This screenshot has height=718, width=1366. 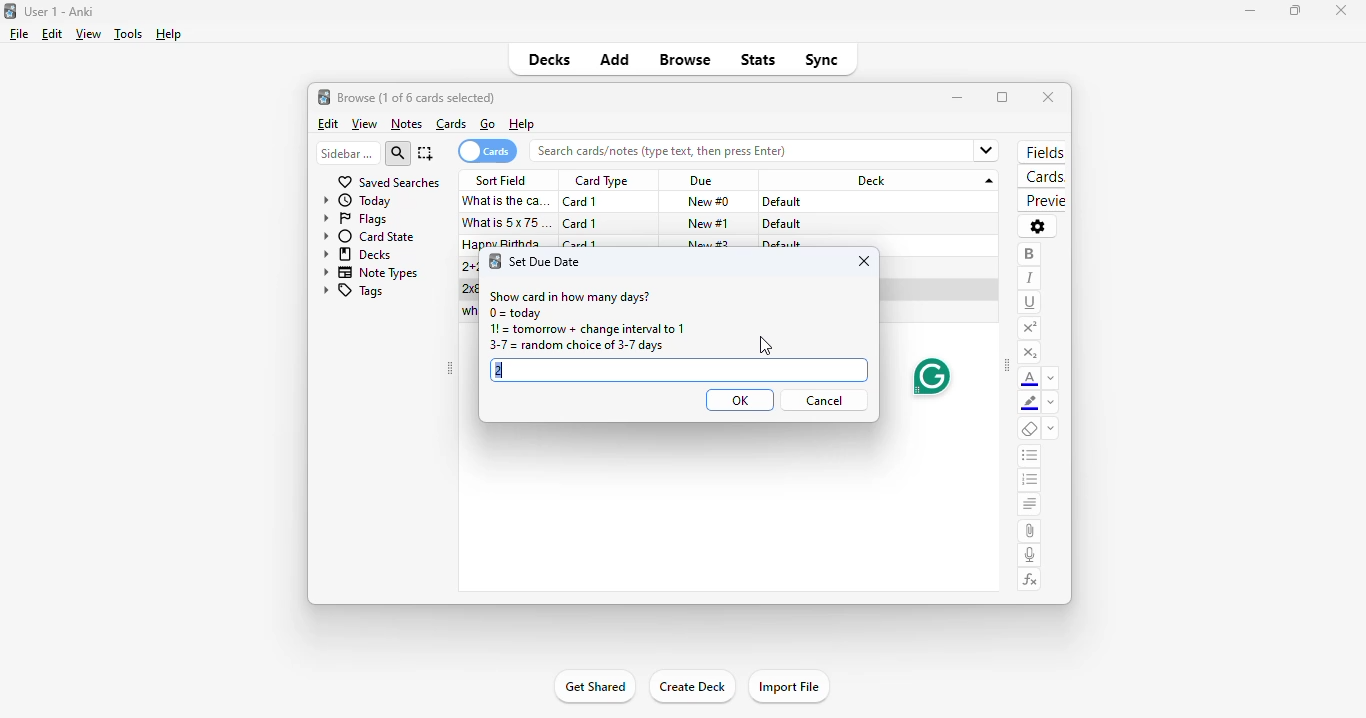 What do you see at coordinates (502, 180) in the screenshot?
I see `sort field` at bounding box center [502, 180].